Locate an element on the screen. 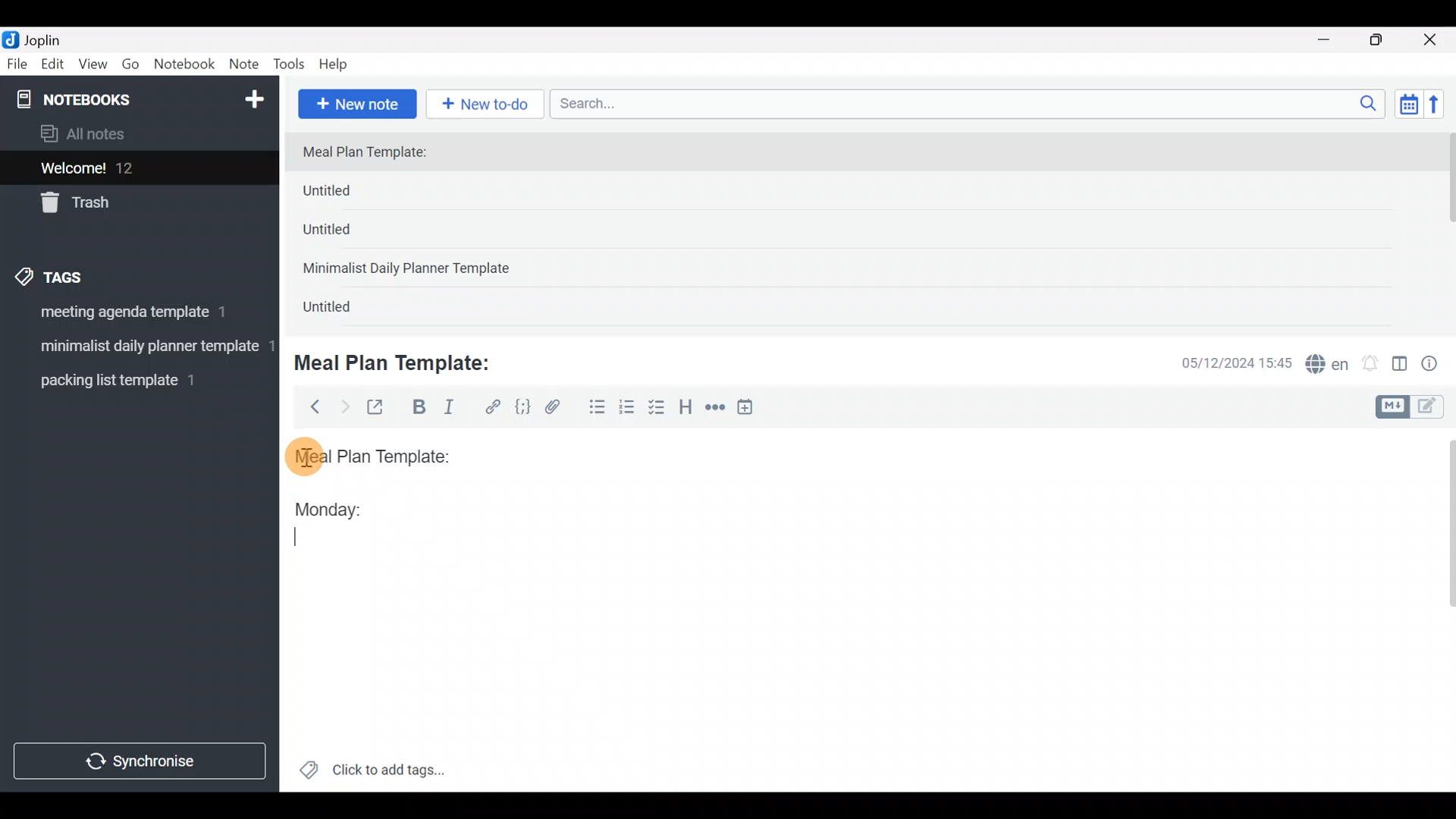 This screenshot has height=819, width=1456. Minimalist Daily Planner Template is located at coordinates (411, 270).